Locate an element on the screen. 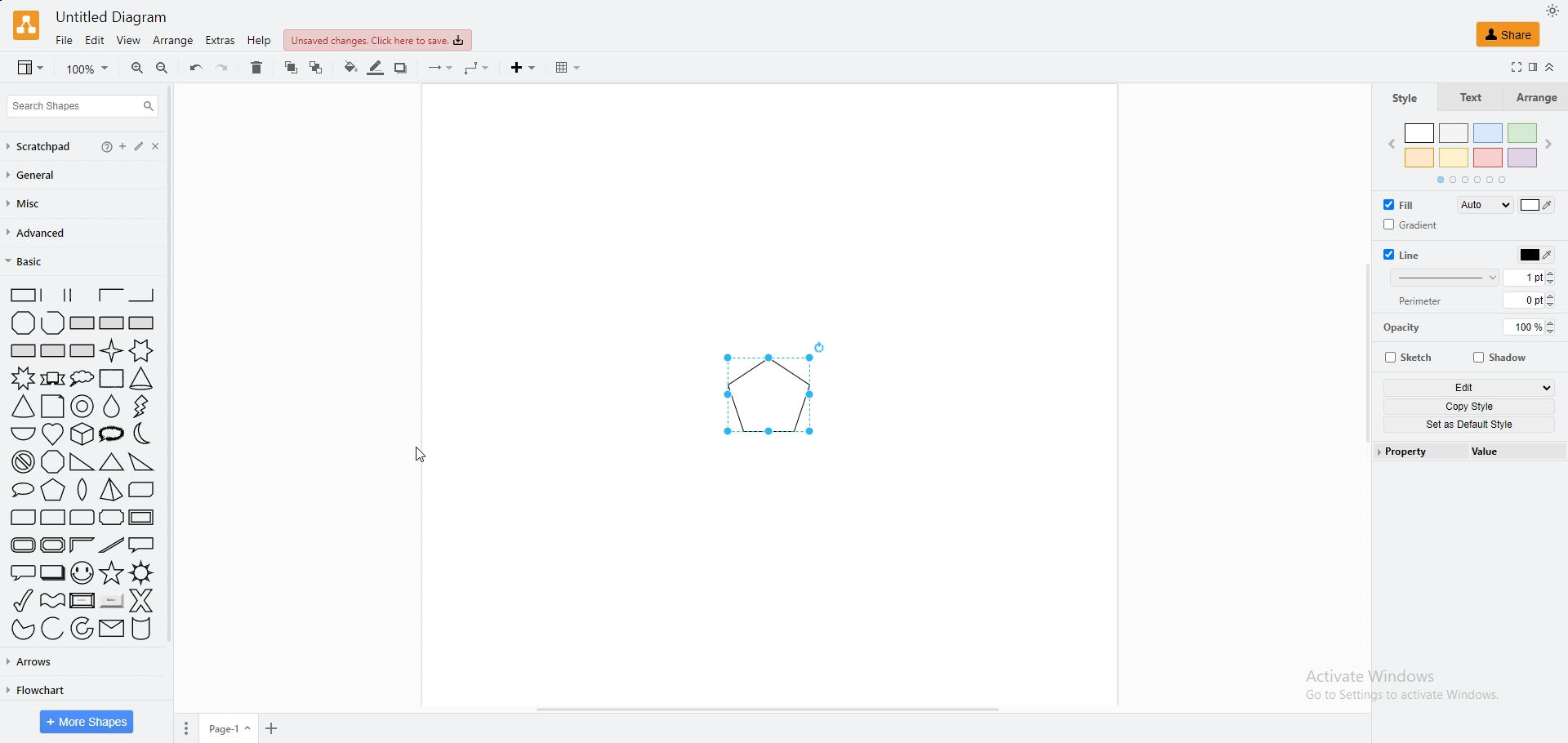 Image resolution: width=1568 pixels, height=743 pixels. line width 1pt is located at coordinates (1523, 278).